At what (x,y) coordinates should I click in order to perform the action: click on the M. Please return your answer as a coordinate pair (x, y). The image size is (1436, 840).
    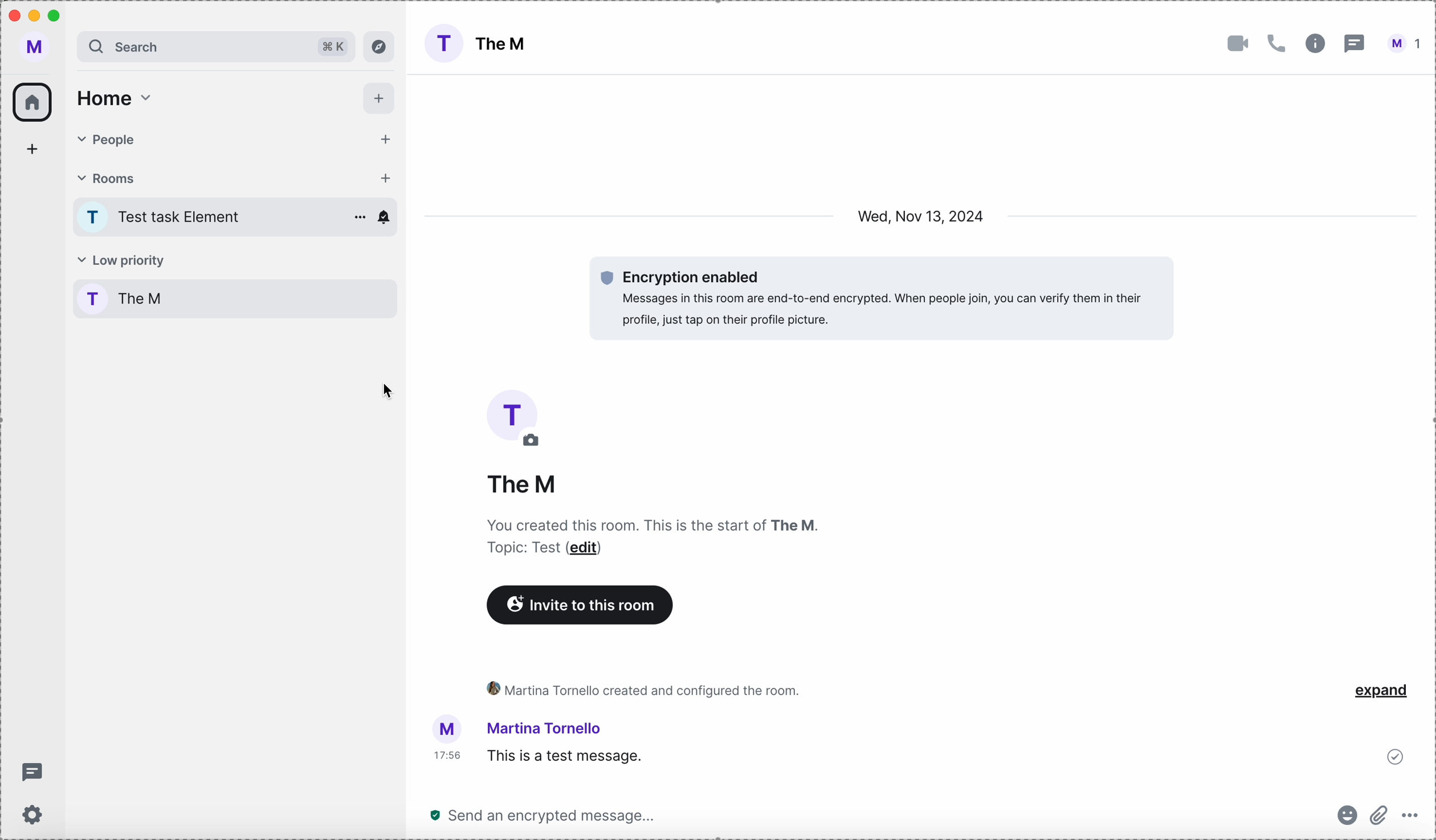
    Looking at the image, I should click on (522, 487).